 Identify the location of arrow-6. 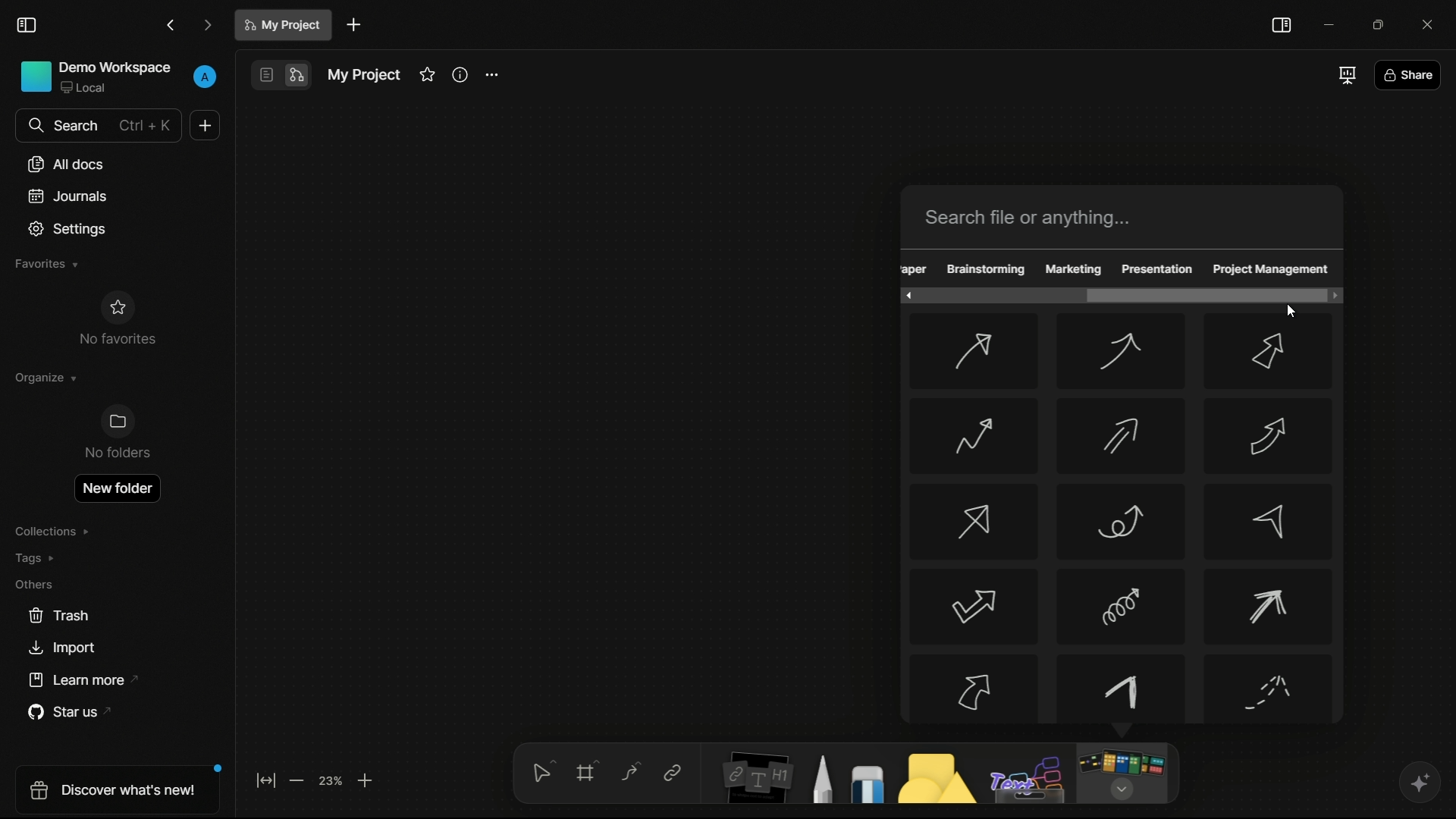
(1270, 435).